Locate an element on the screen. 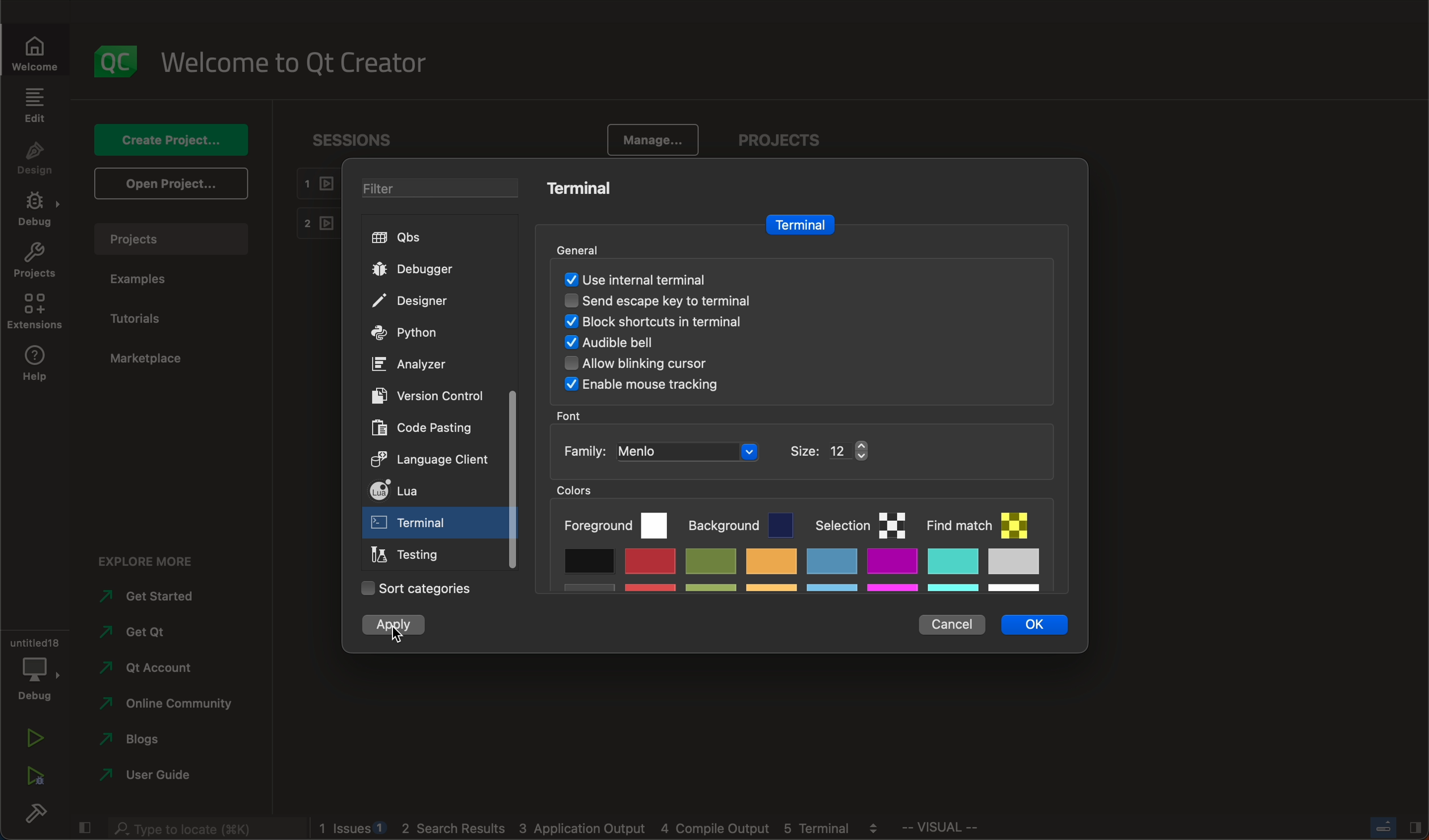  analyzer is located at coordinates (412, 366).